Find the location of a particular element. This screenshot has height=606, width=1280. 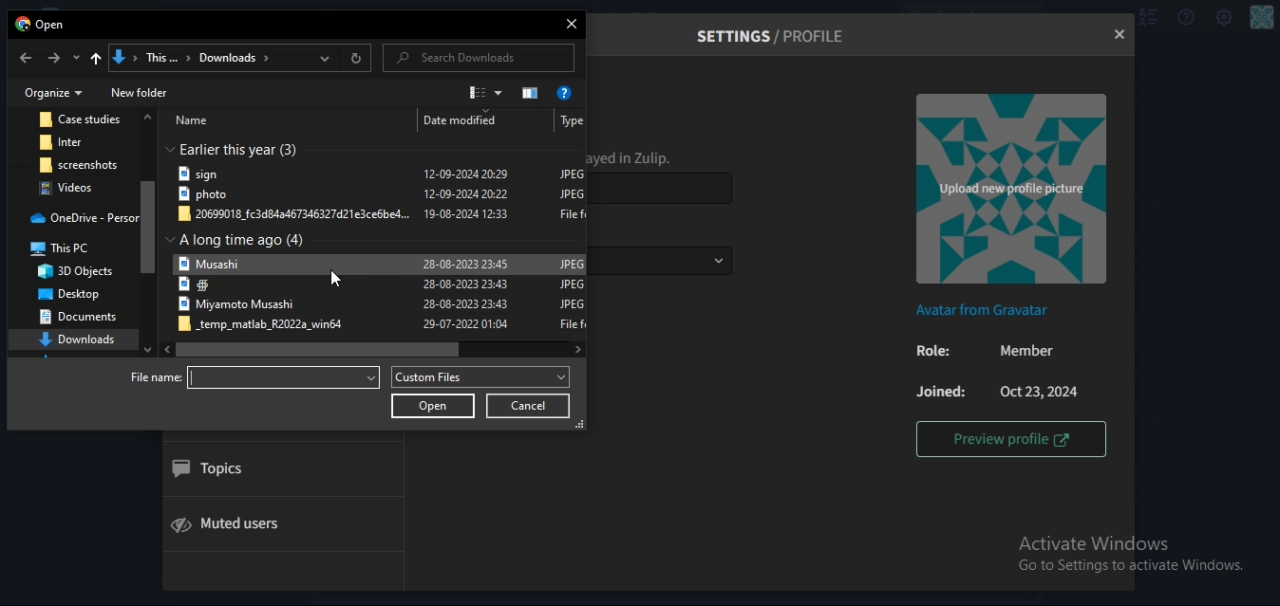

cancel is located at coordinates (528, 406).